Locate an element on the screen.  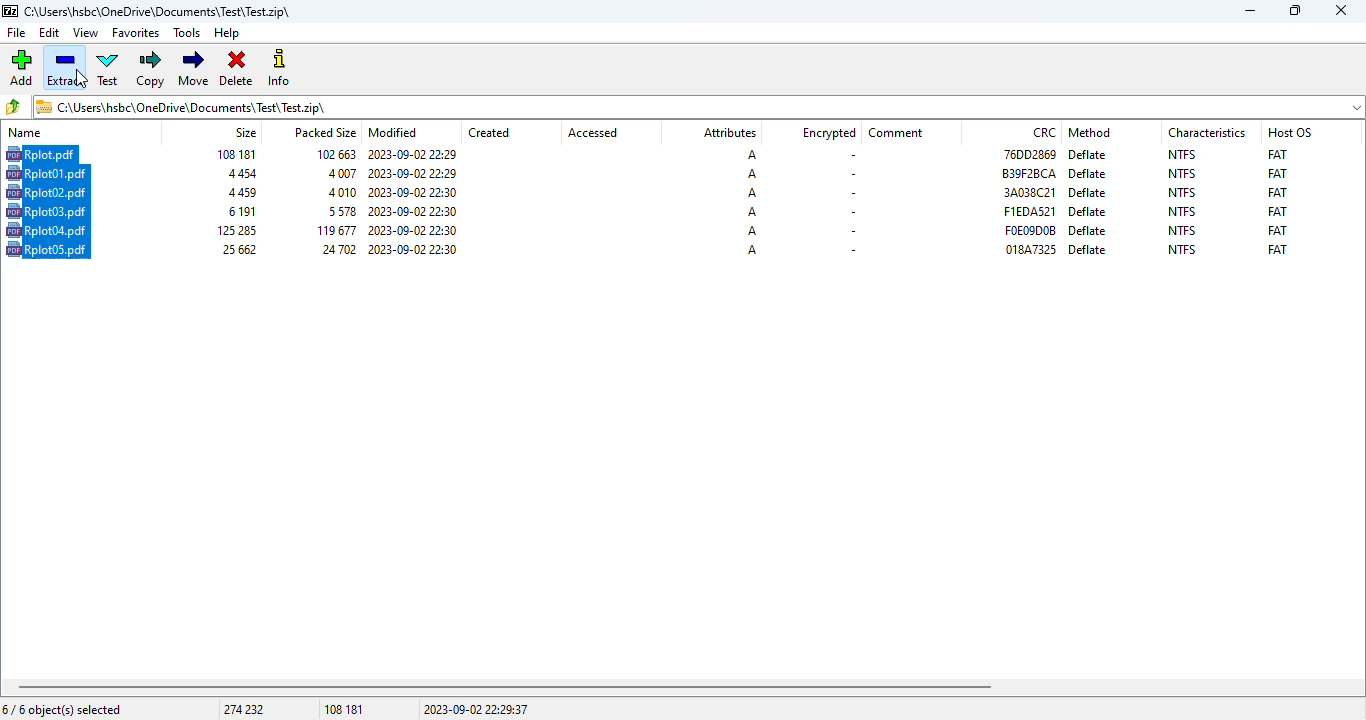
view is located at coordinates (86, 33).